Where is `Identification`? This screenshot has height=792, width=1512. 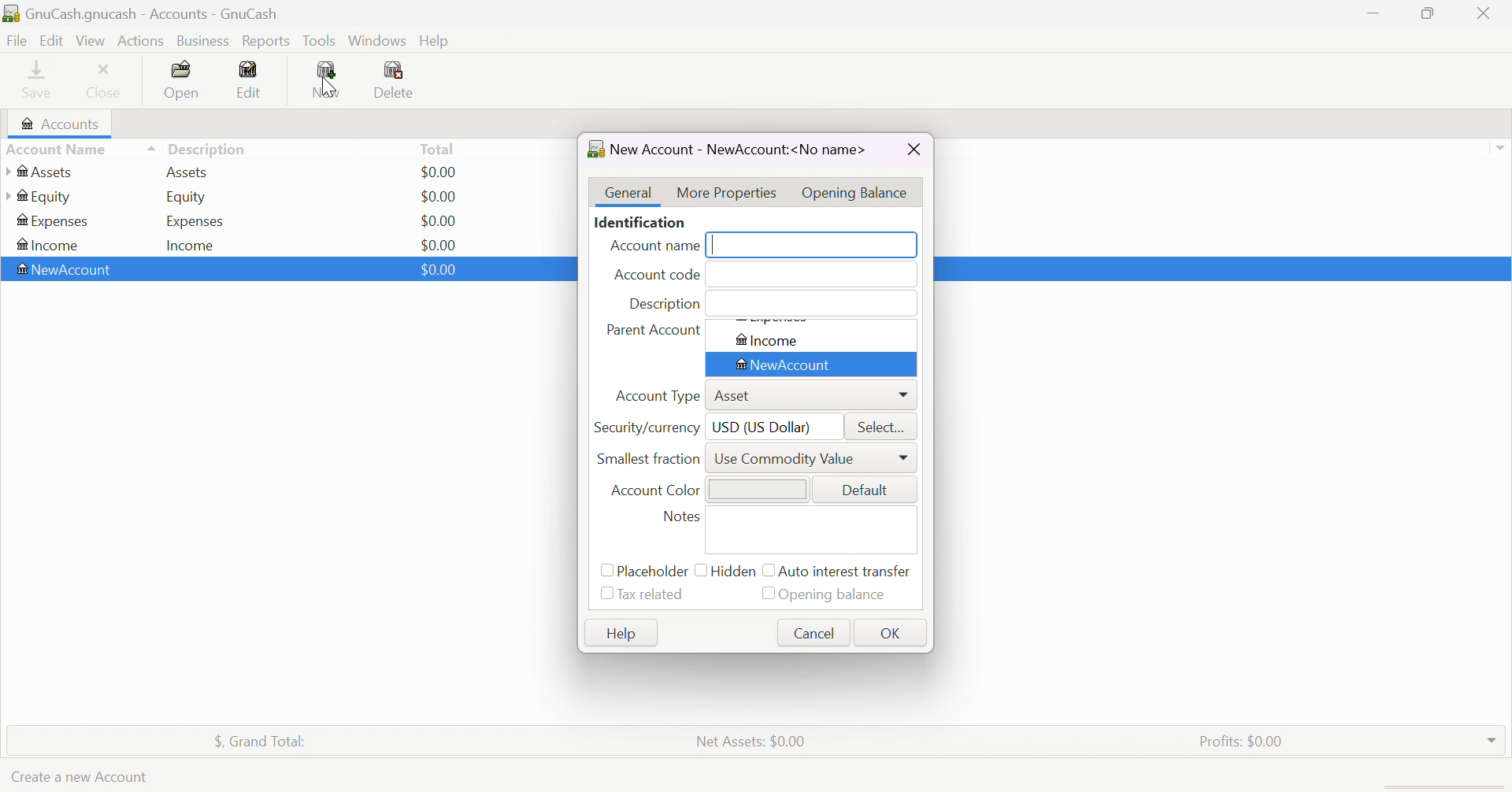
Identification is located at coordinates (641, 220).